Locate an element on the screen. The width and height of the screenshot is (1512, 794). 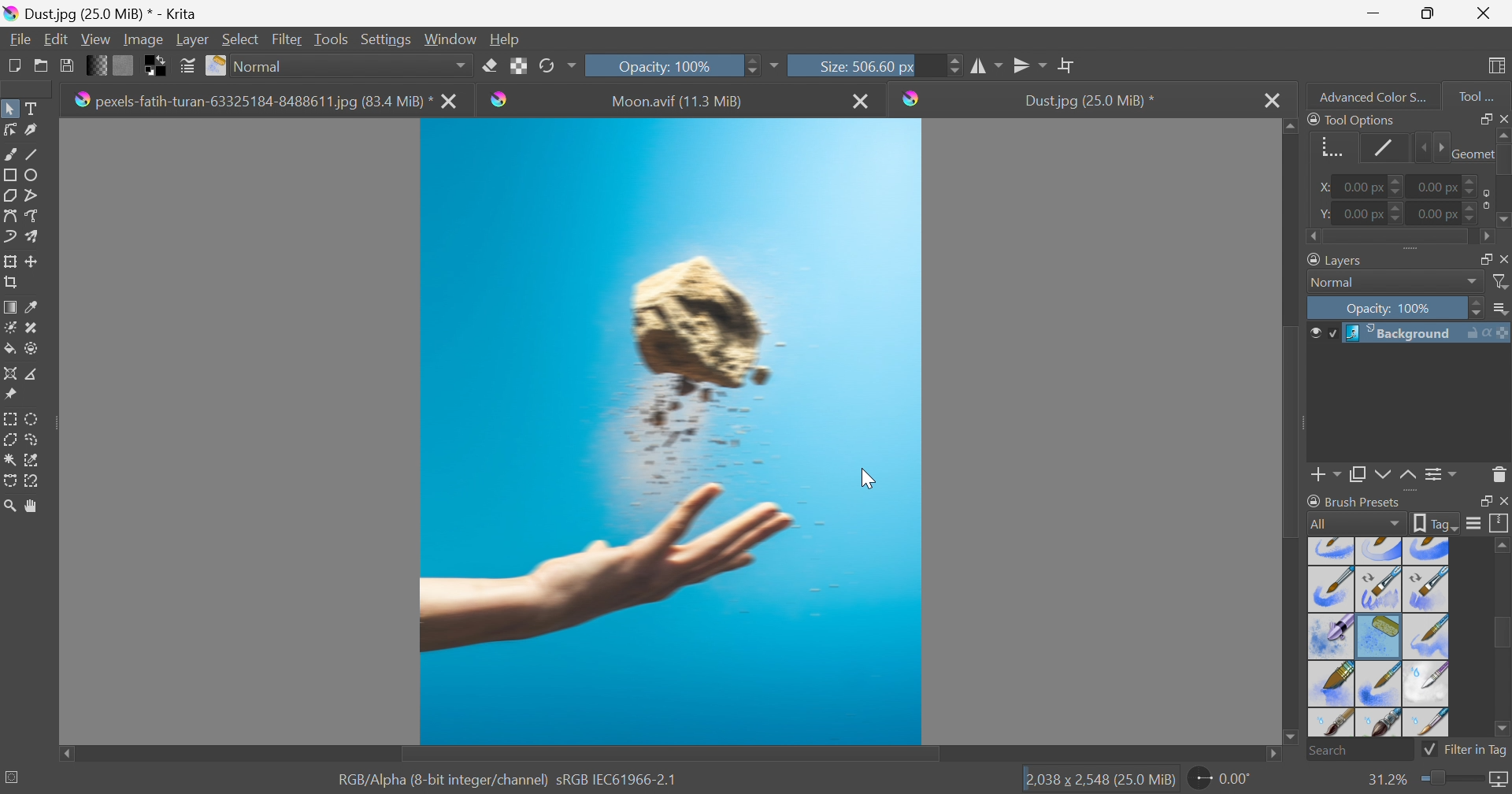
Tool Options is located at coordinates (1351, 119).